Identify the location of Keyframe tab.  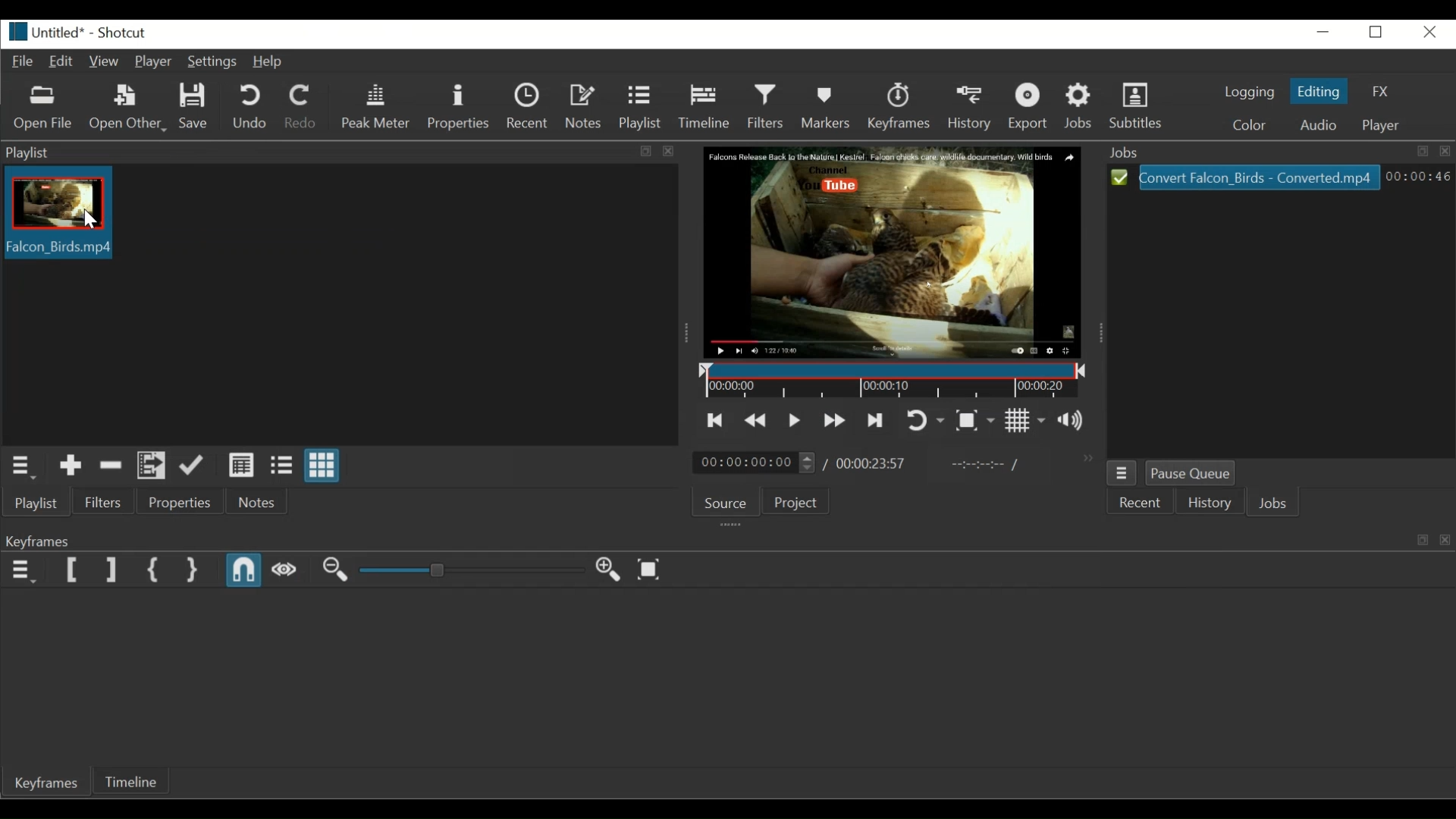
(693, 541).